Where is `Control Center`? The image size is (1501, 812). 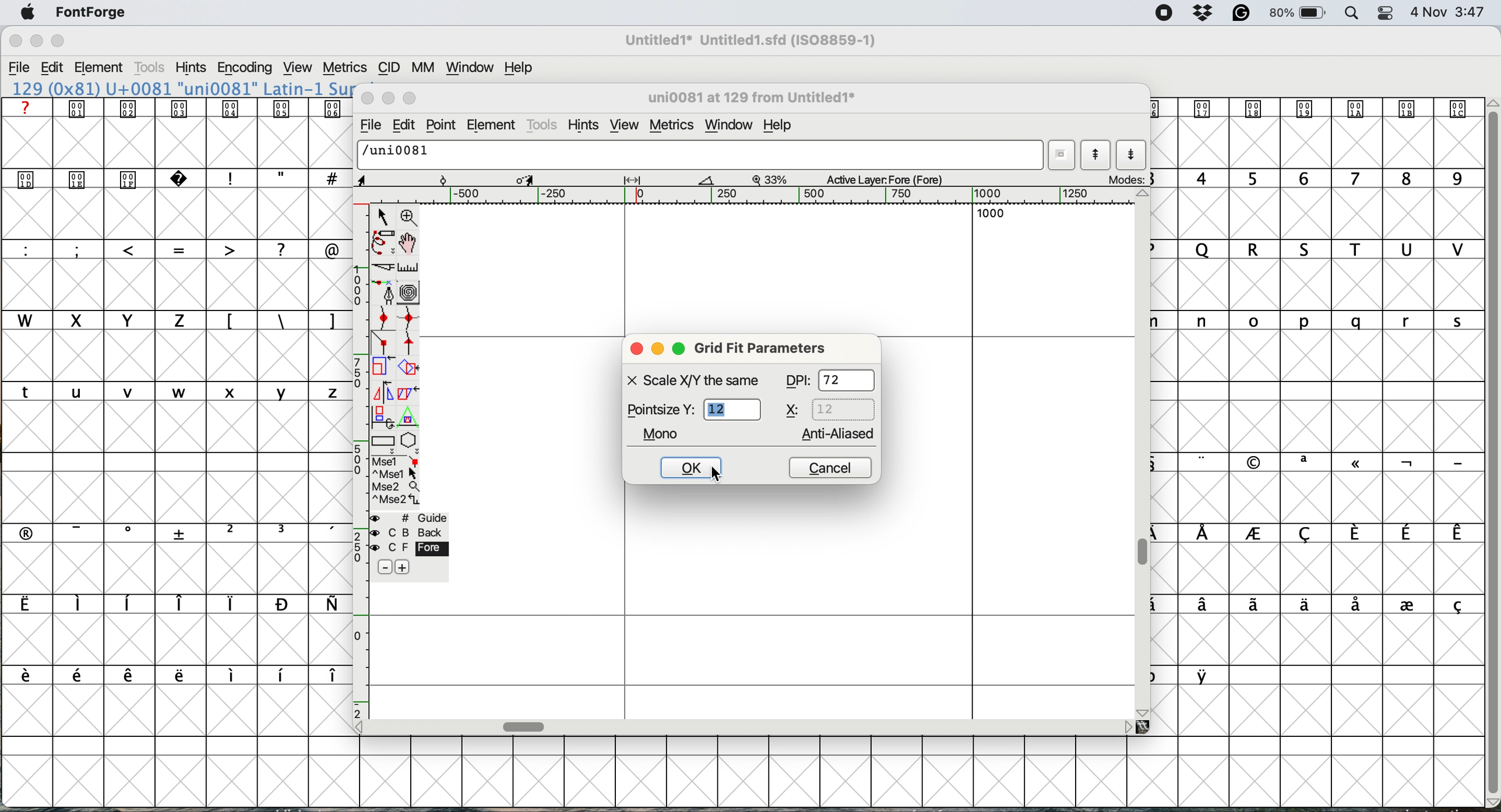
Control Center is located at coordinates (1385, 14).